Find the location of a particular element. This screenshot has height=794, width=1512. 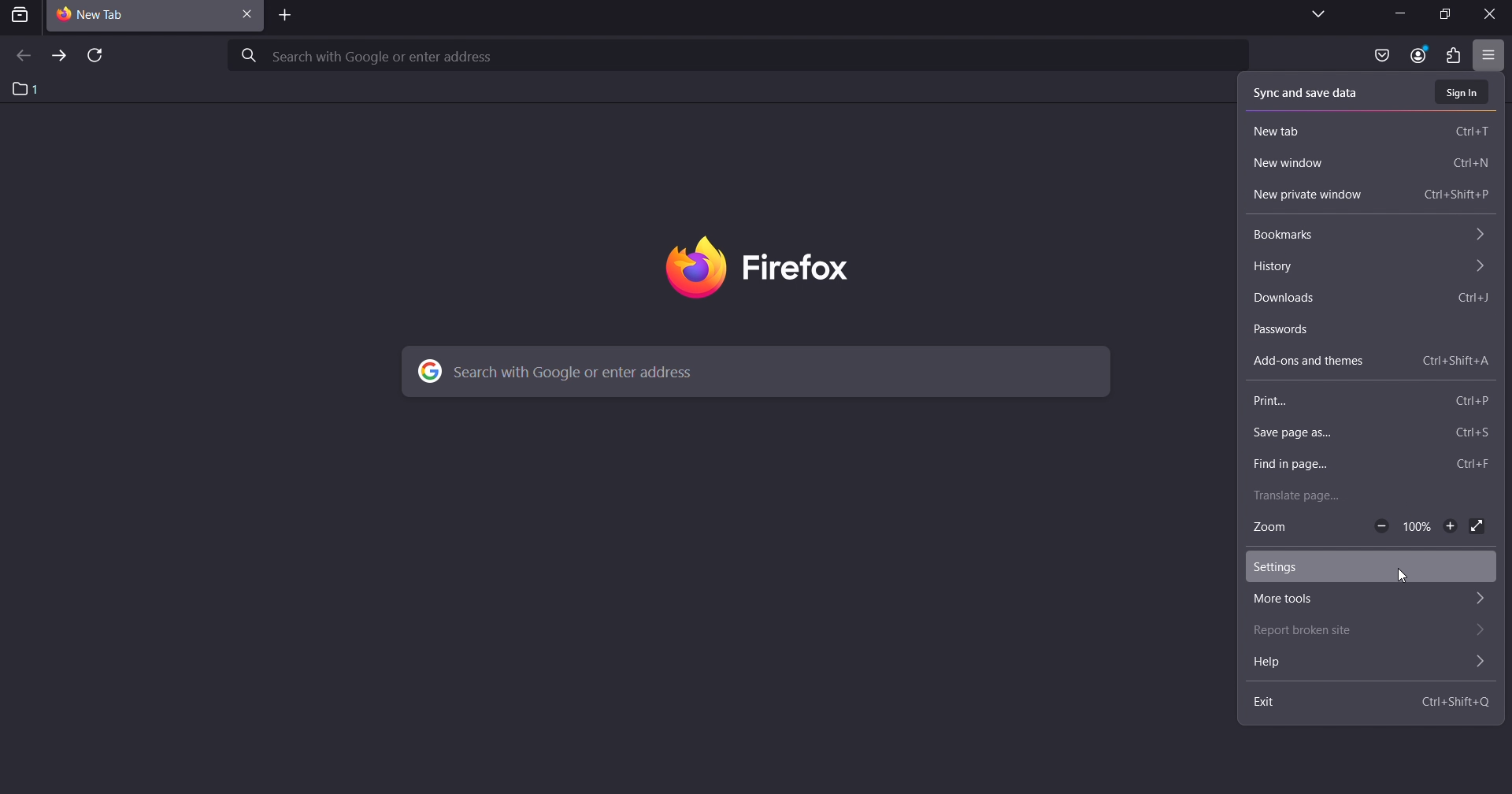

settings is located at coordinates (1362, 566).